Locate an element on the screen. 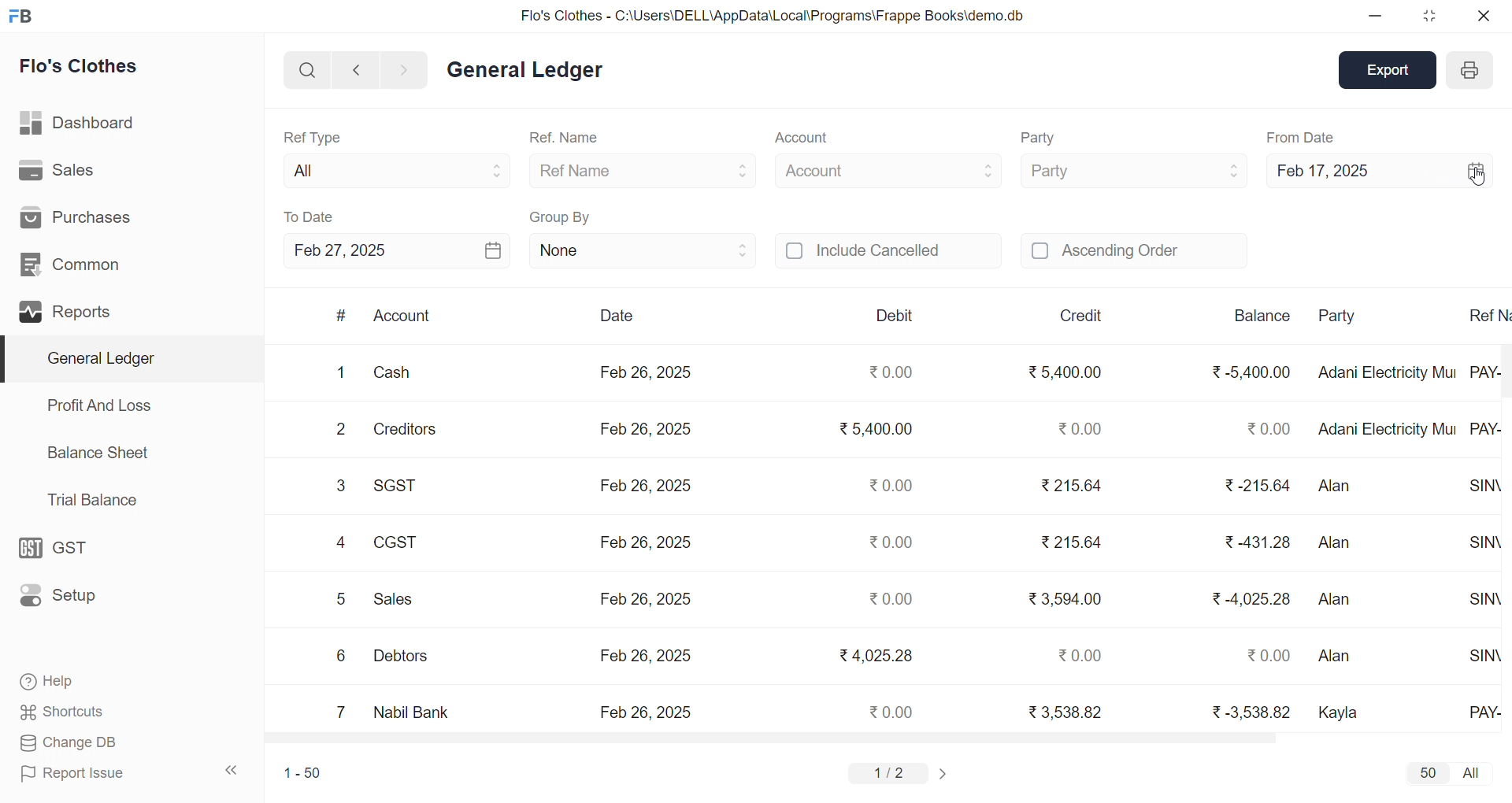 Image resolution: width=1512 pixels, height=803 pixels. Help is located at coordinates (53, 683).